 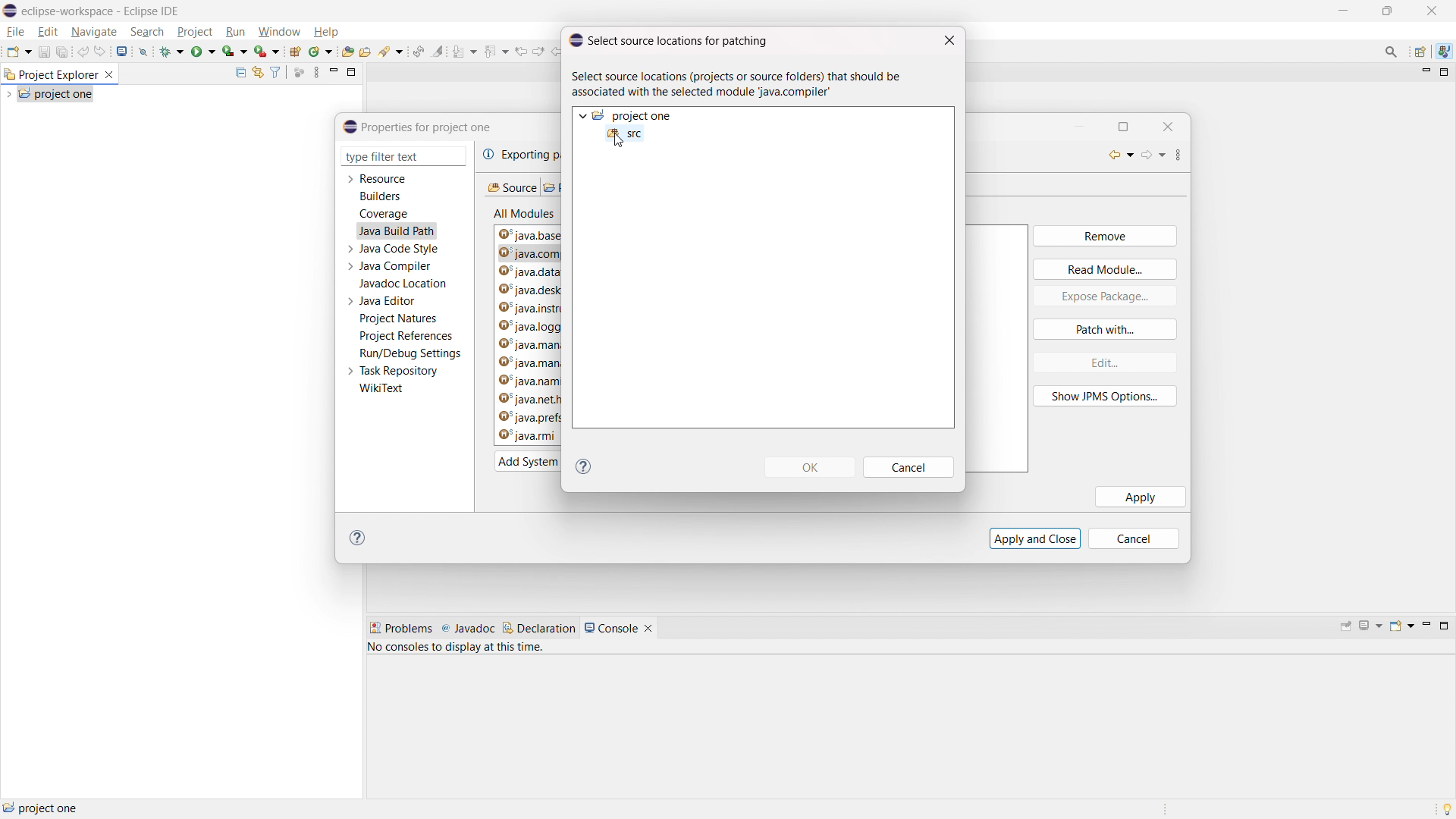 What do you see at coordinates (44, 52) in the screenshot?
I see `save` at bounding box center [44, 52].